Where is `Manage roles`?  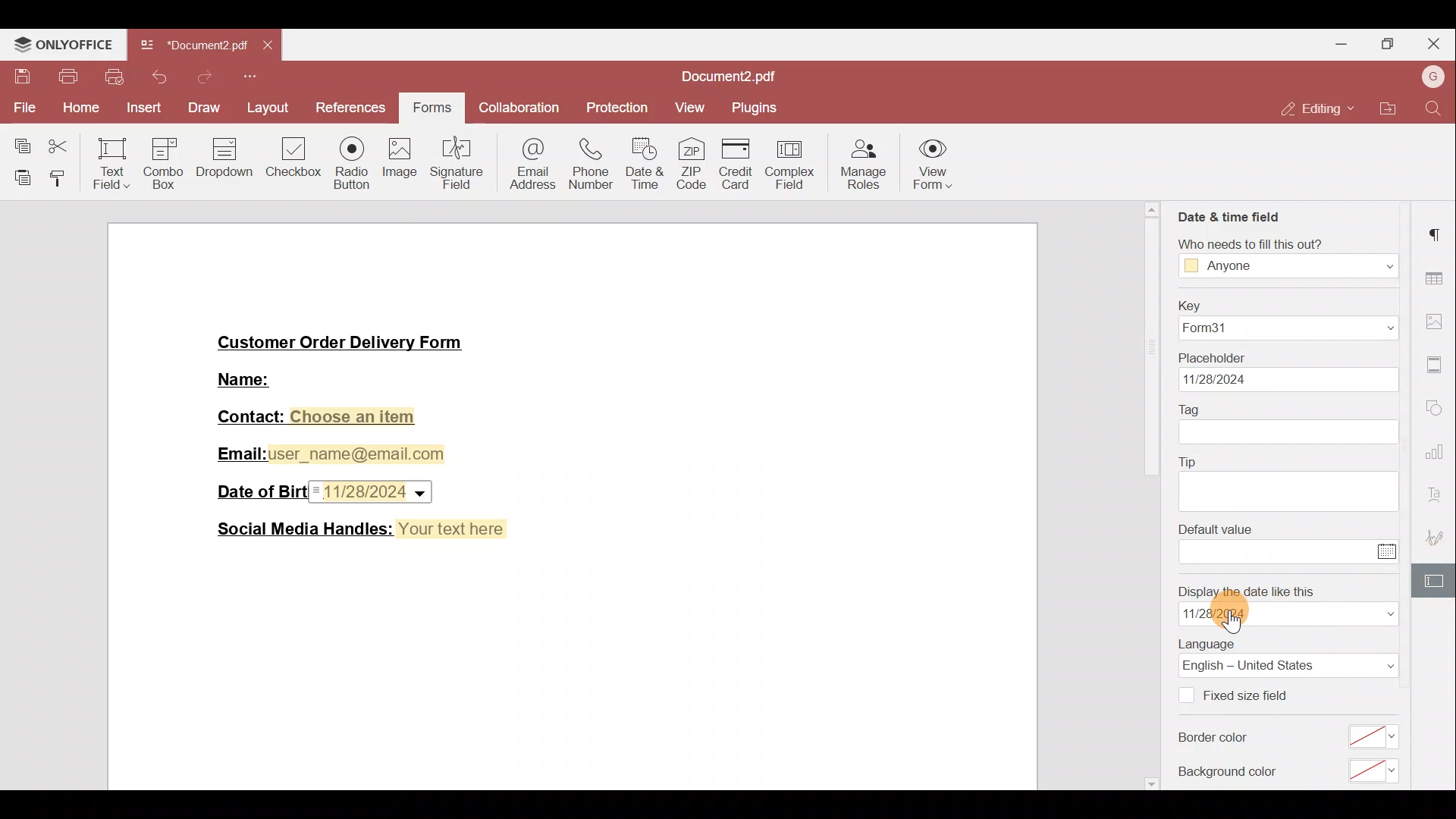
Manage roles is located at coordinates (864, 167).